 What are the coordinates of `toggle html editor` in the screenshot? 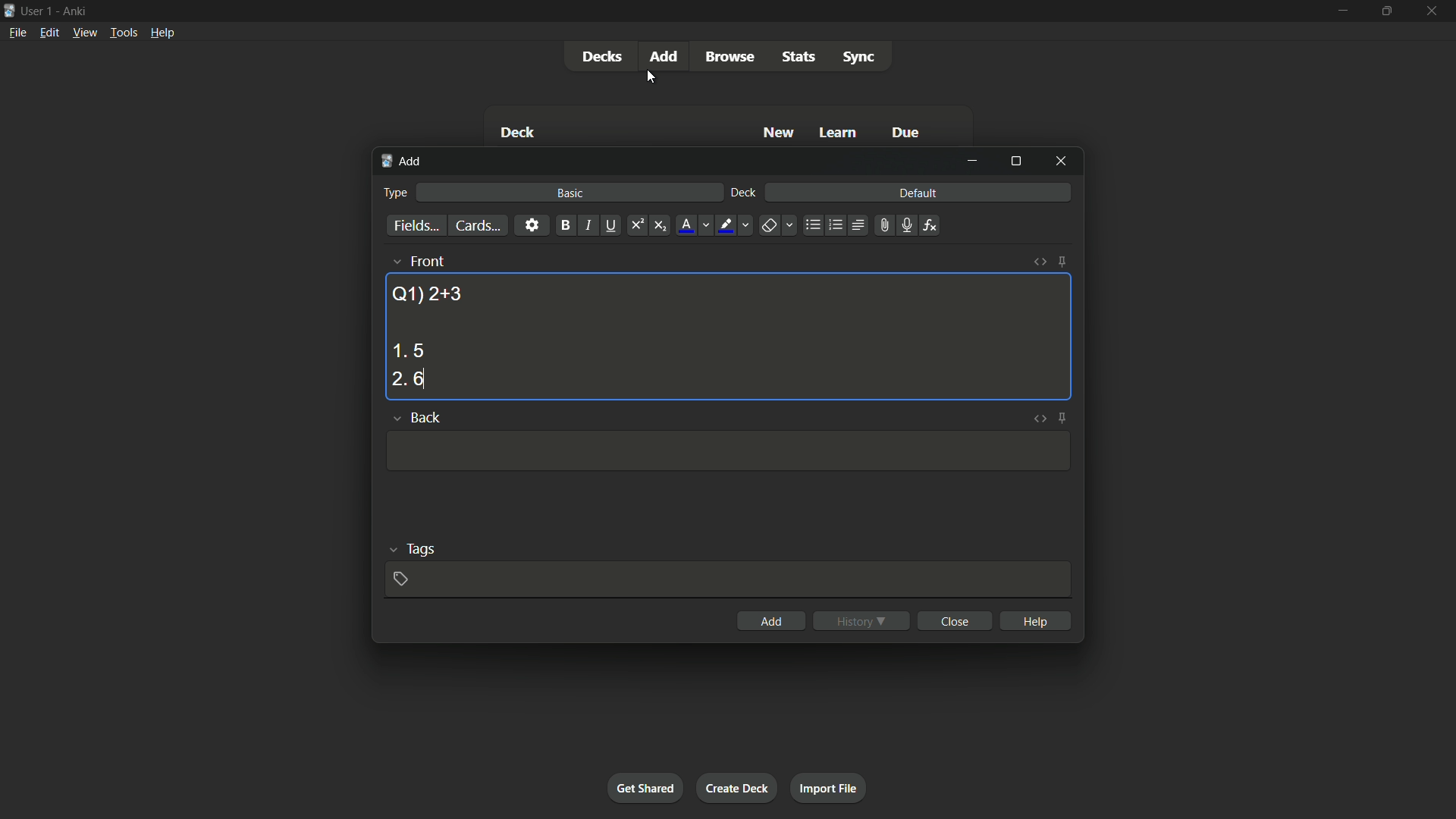 It's located at (1040, 262).